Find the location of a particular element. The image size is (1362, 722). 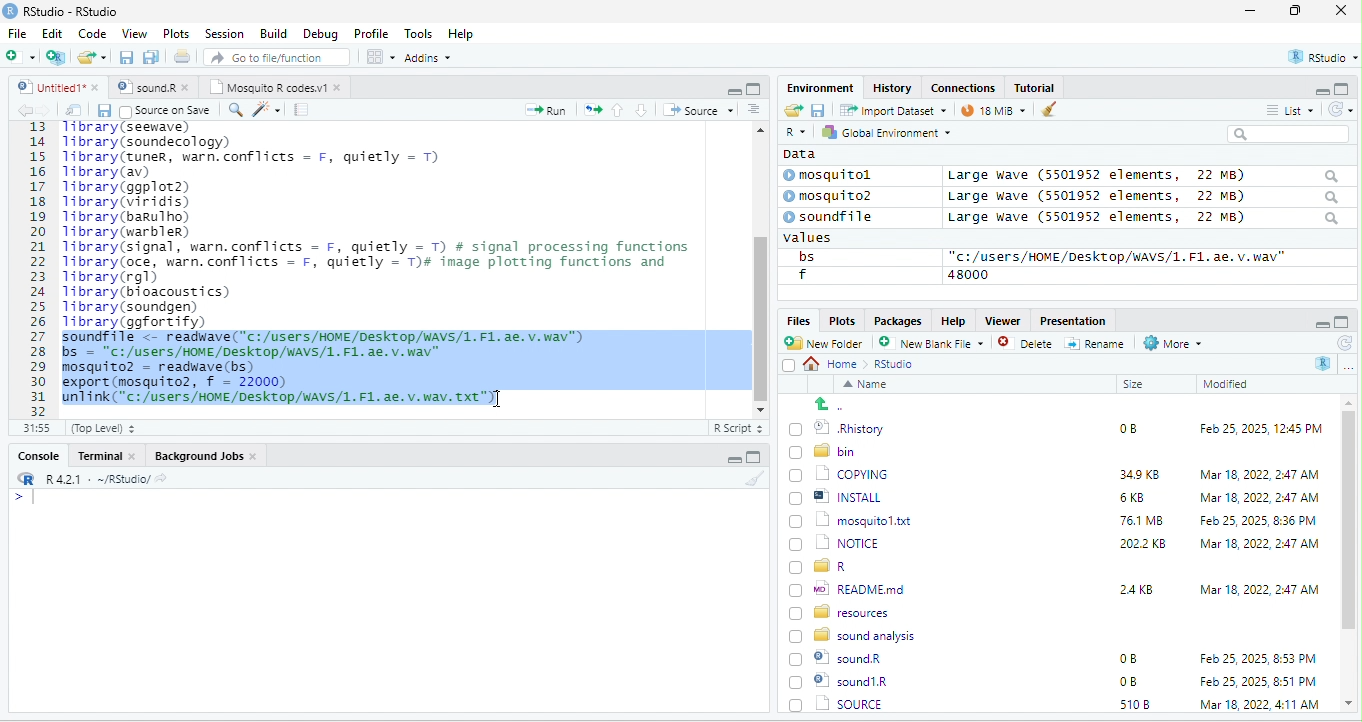

0B is located at coordinates (1127, 659).